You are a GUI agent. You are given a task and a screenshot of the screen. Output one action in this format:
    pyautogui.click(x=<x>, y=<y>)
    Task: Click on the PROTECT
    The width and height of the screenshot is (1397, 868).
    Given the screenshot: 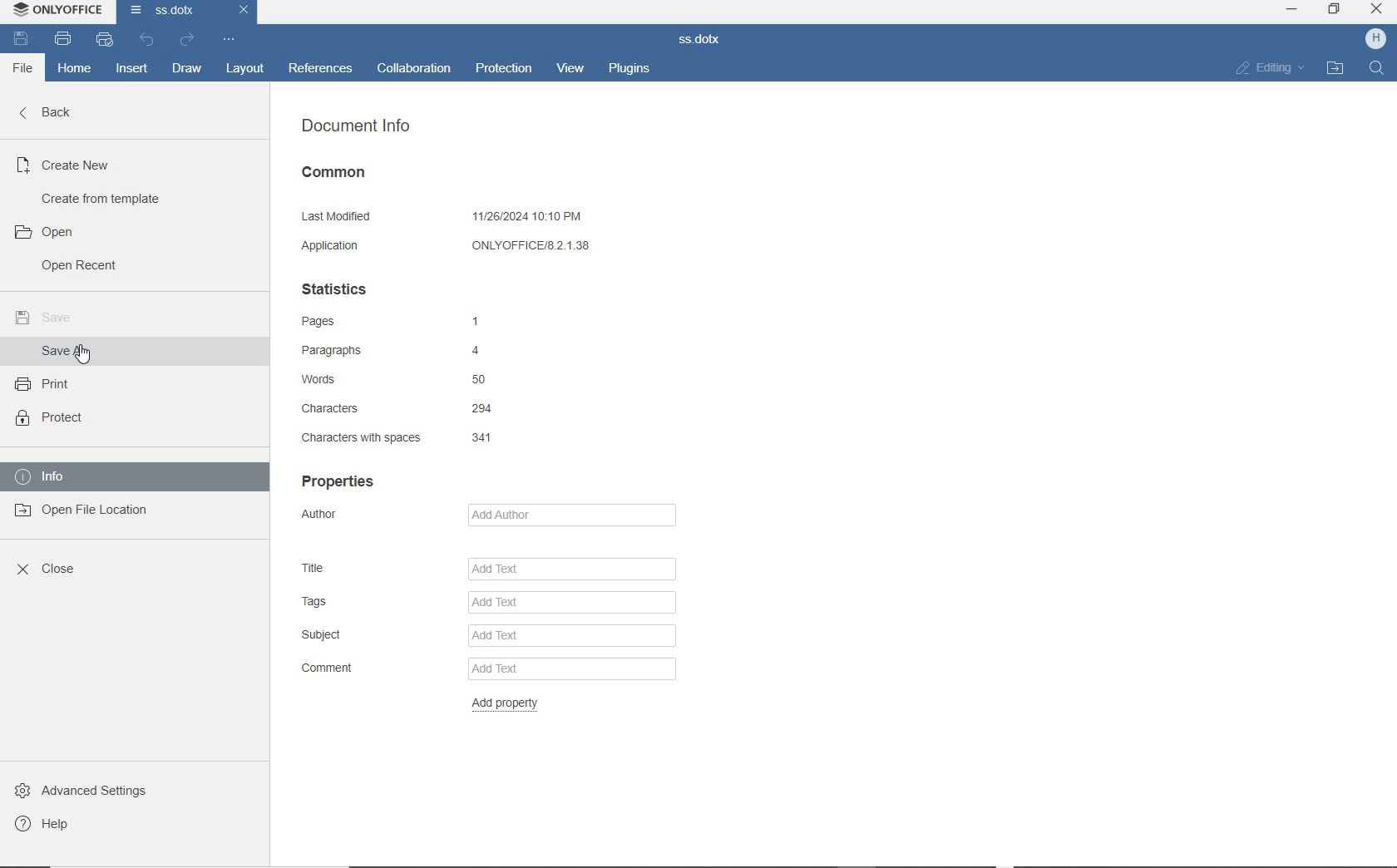 What is the action you would take?
    pyautogui.click(x=52, y=417)
    